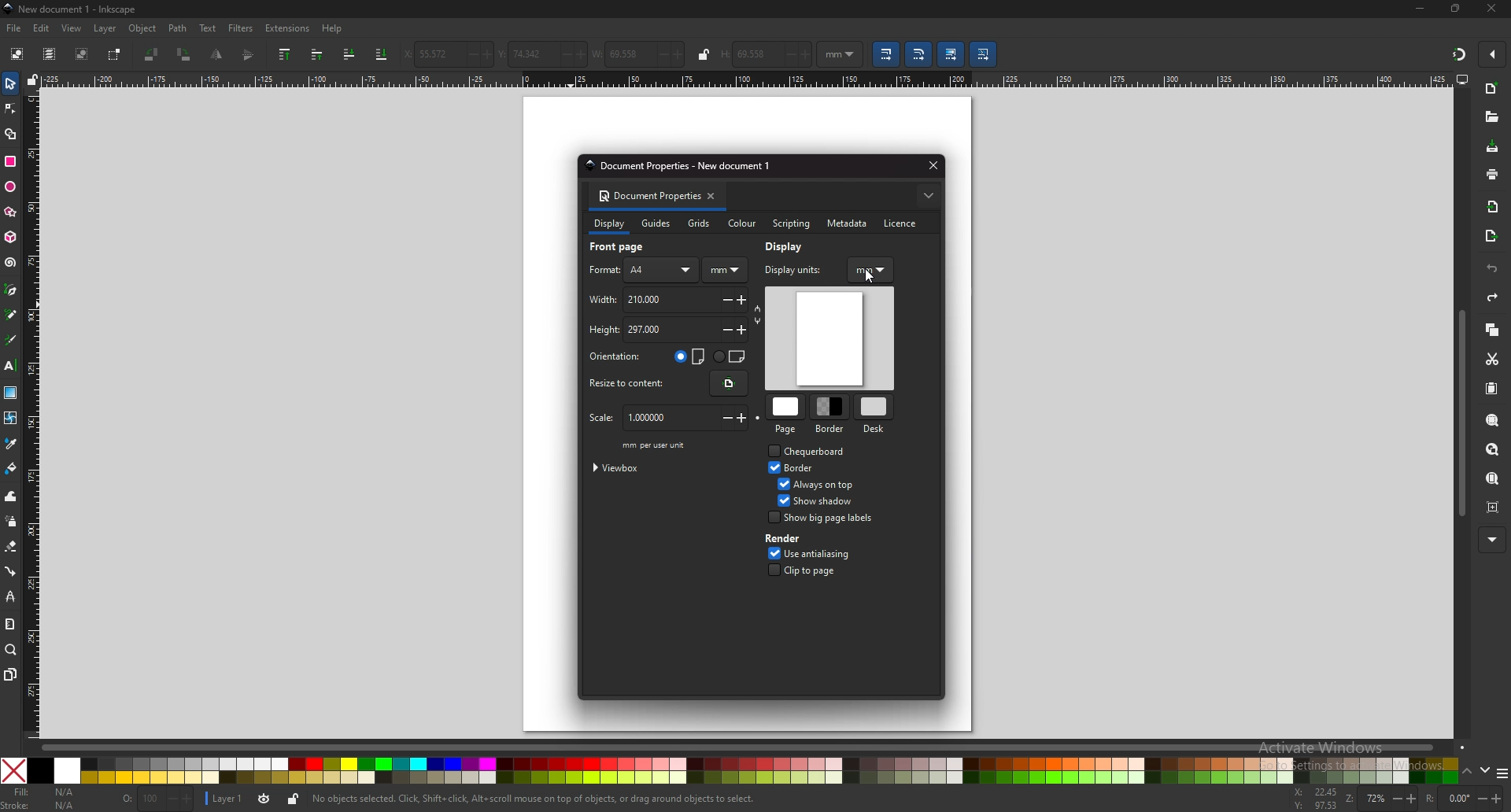 The width and height of the screenshot is (1511, 812). Describe the element at coordinates (9, 339) in the screenshot. I see `calligraphy` at that location.